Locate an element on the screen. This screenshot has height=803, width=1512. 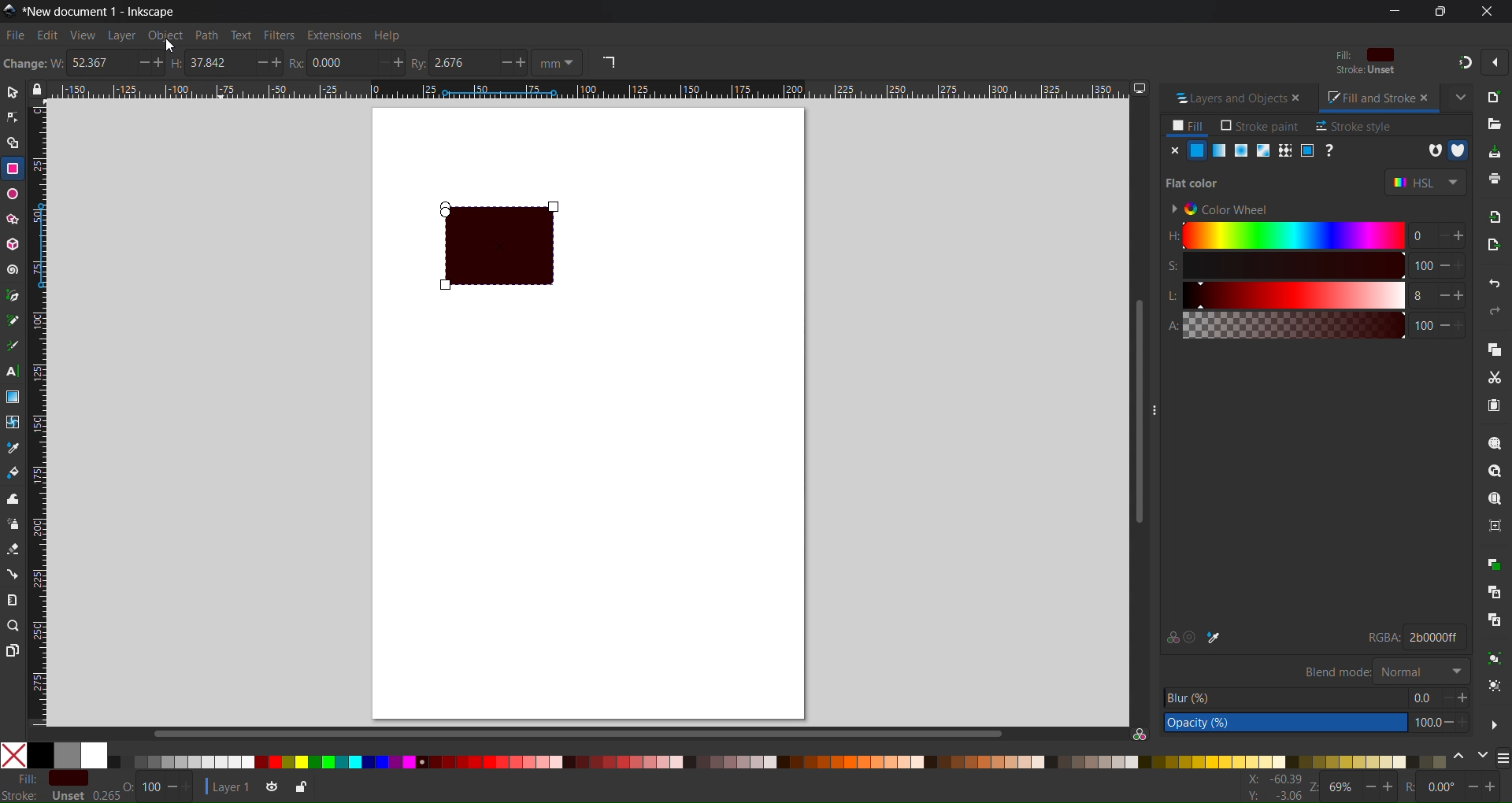
increase lightess is located at coordinates (1462, 294).